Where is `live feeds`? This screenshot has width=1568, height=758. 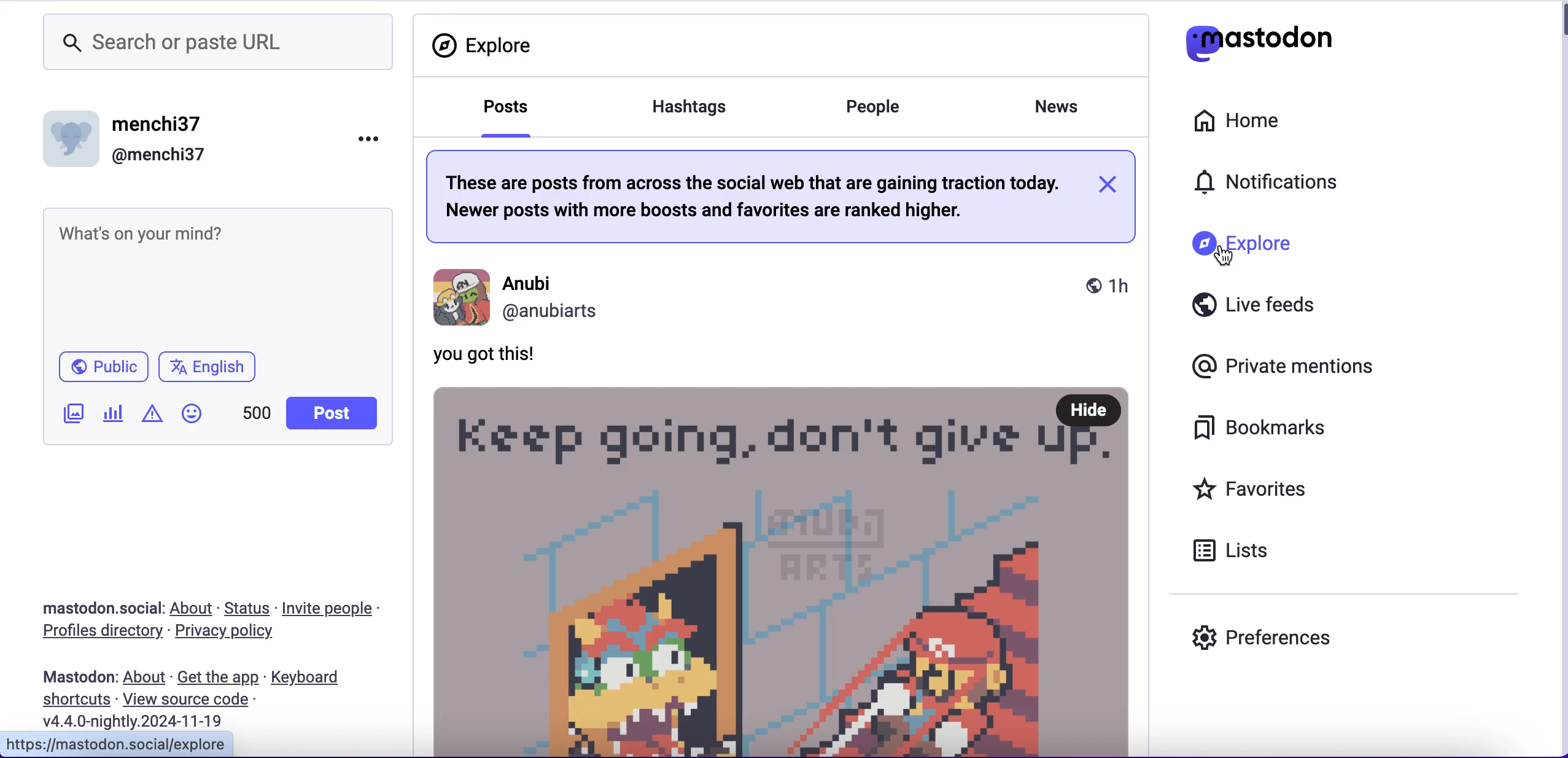
live feeds is located at coordinates (1270, 305).